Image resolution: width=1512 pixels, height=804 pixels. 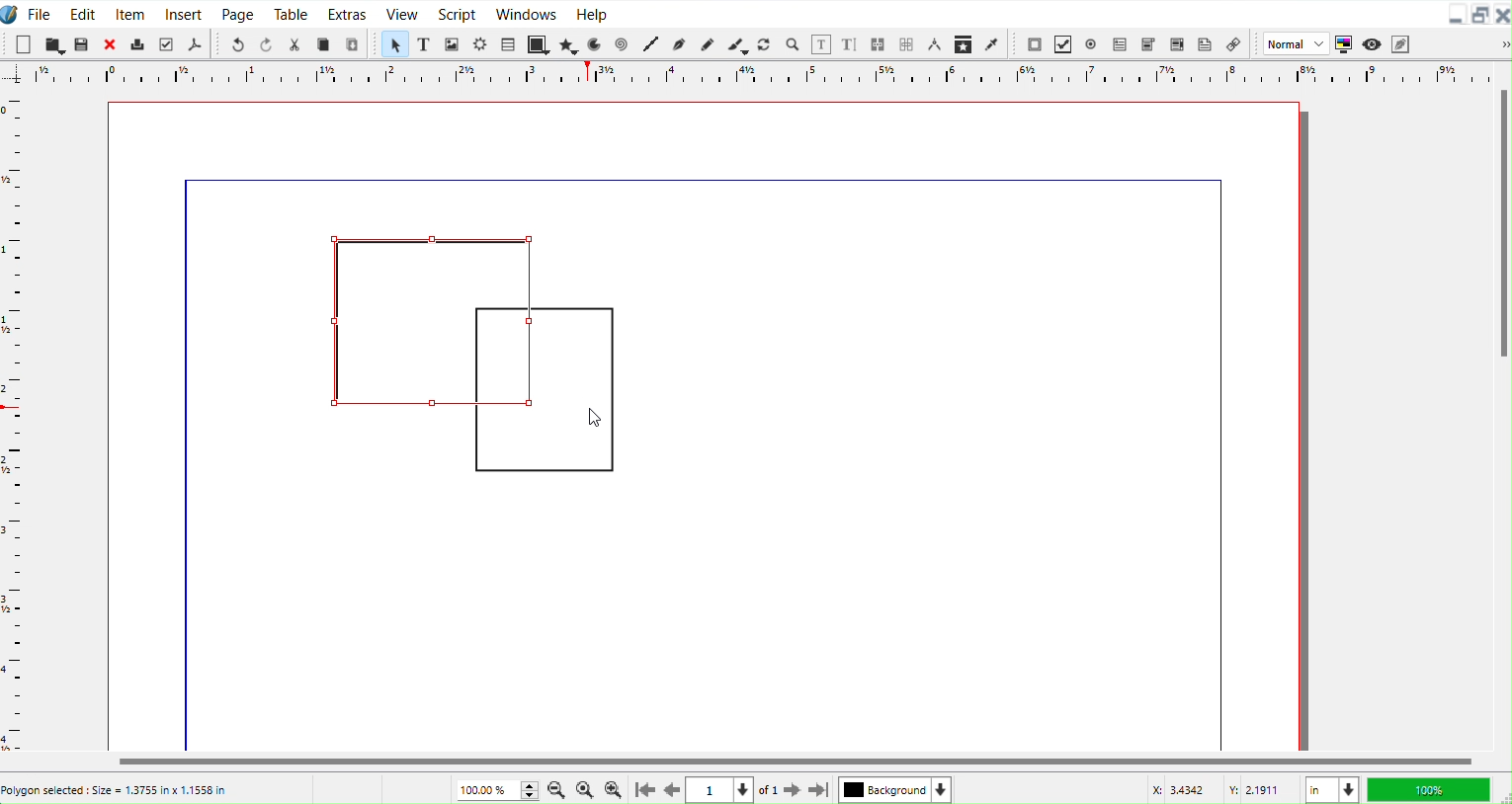 What do you see at coordinates (136, 44) in the screenshot?
I see `Print` at bounding box center [136, 44].